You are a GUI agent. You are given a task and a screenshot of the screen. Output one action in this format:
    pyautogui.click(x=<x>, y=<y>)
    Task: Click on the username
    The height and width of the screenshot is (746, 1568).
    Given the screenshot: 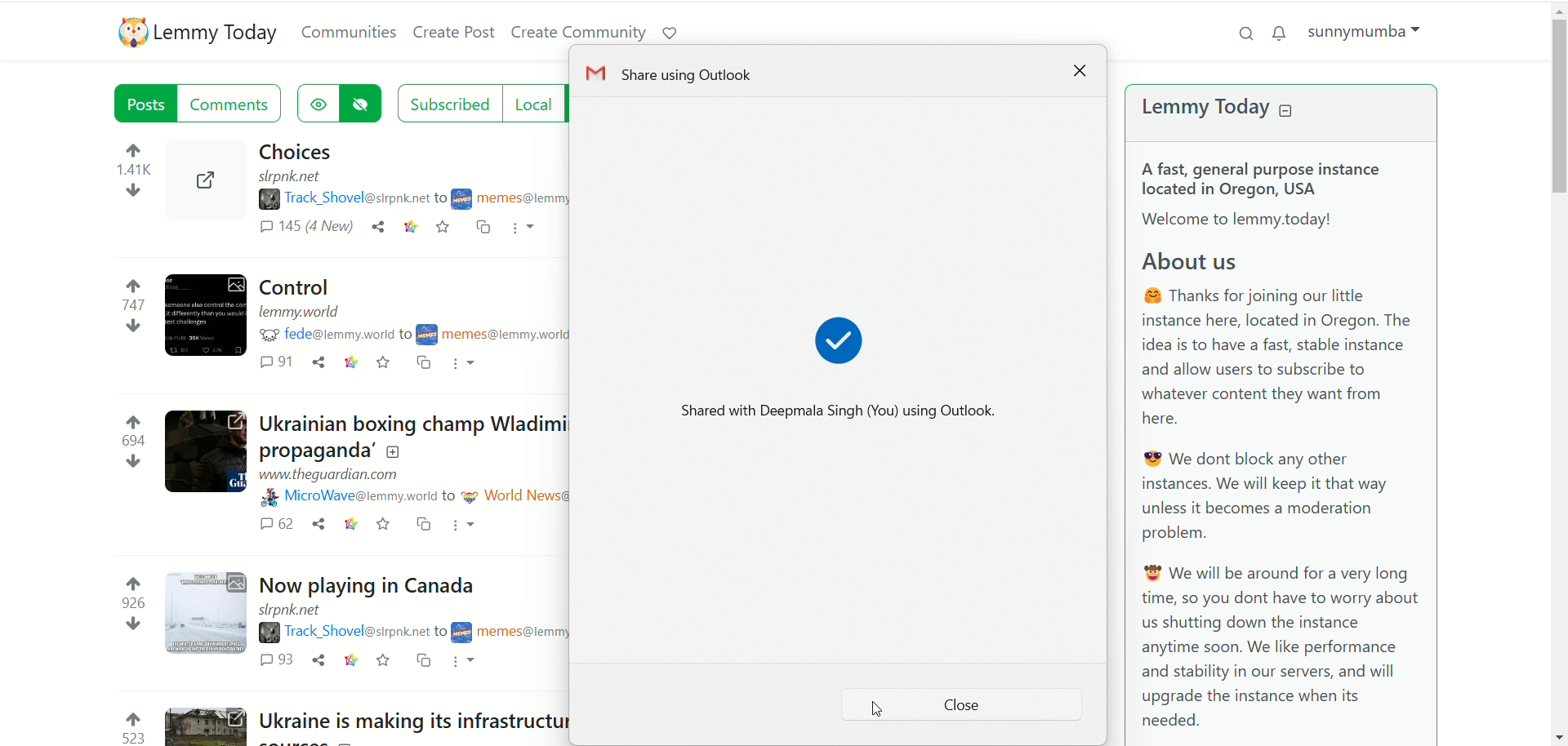 What is the action you would take?
    pyautogui.click(x=330, y=335)
    